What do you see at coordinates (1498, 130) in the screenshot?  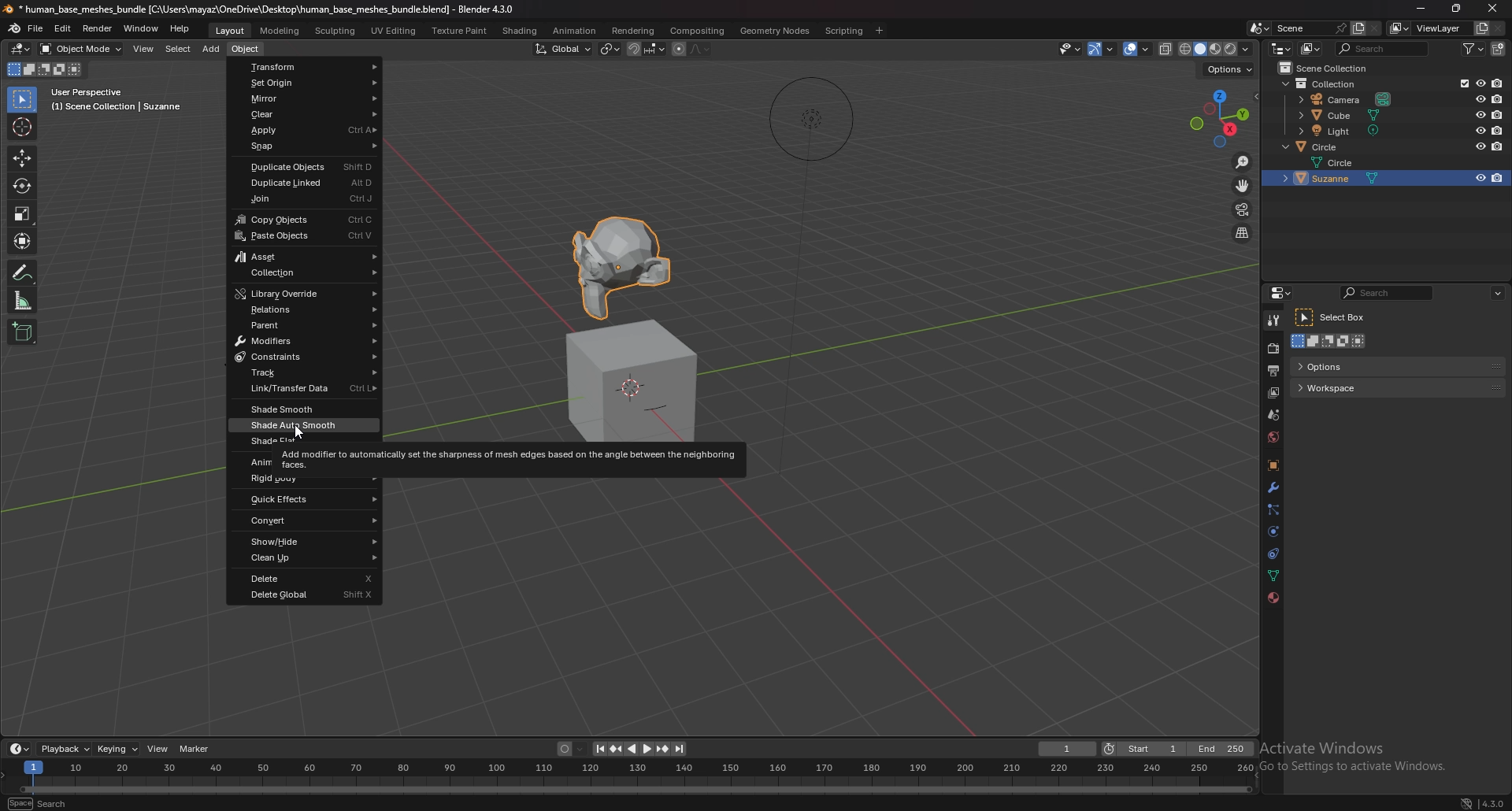 I see `disable in renders` at bounding box center [1498, 130].